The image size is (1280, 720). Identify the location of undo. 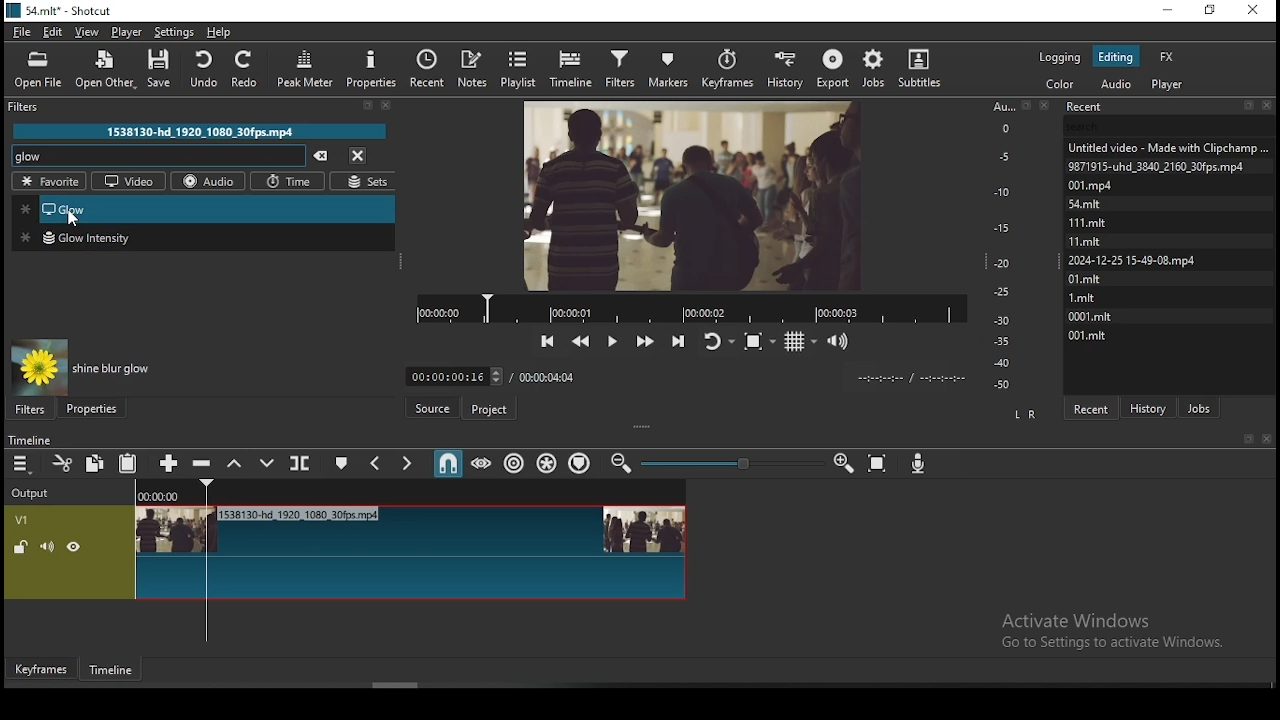
(201, 66).